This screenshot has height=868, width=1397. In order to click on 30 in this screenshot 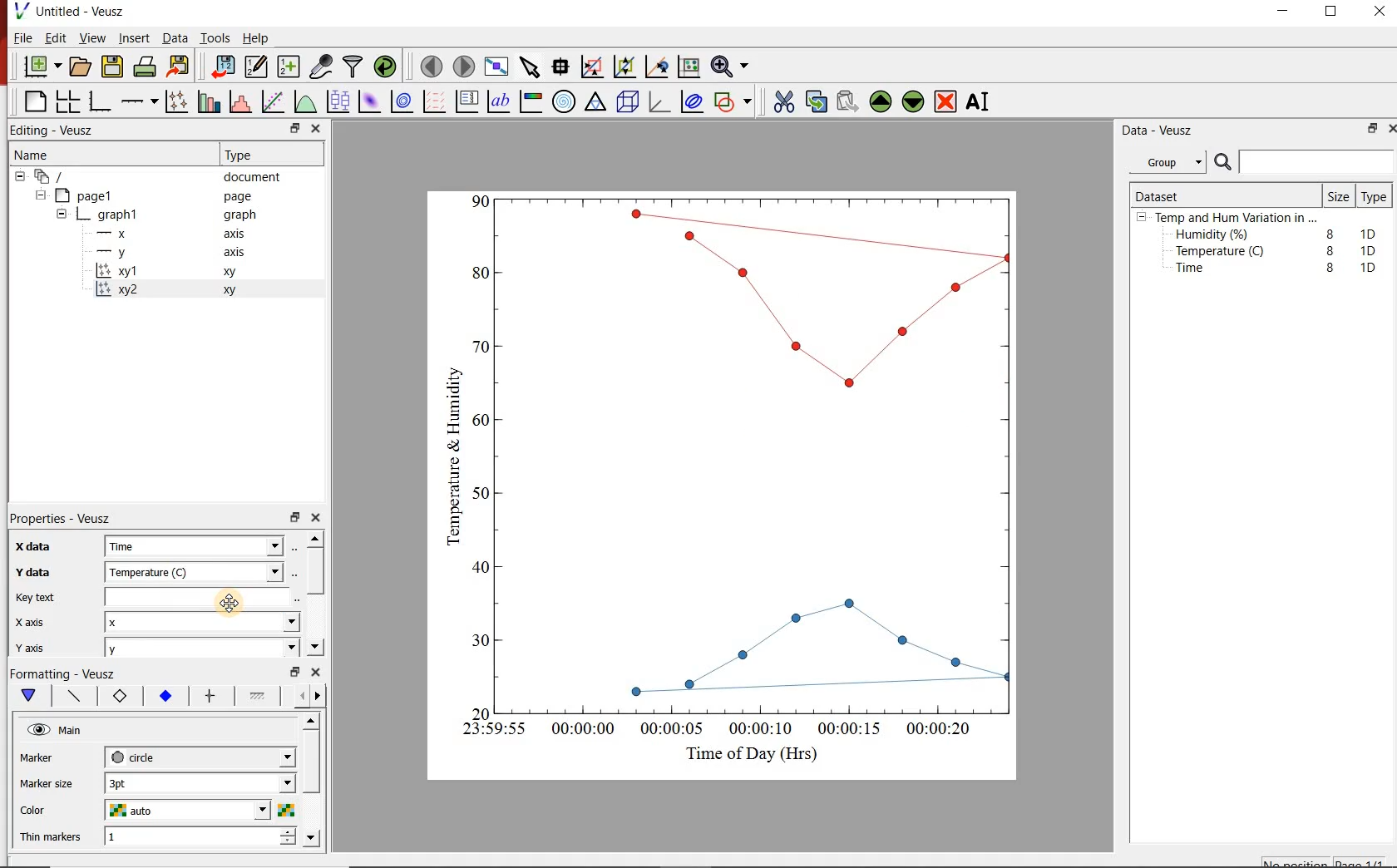, I will do `click(478, 641)`.